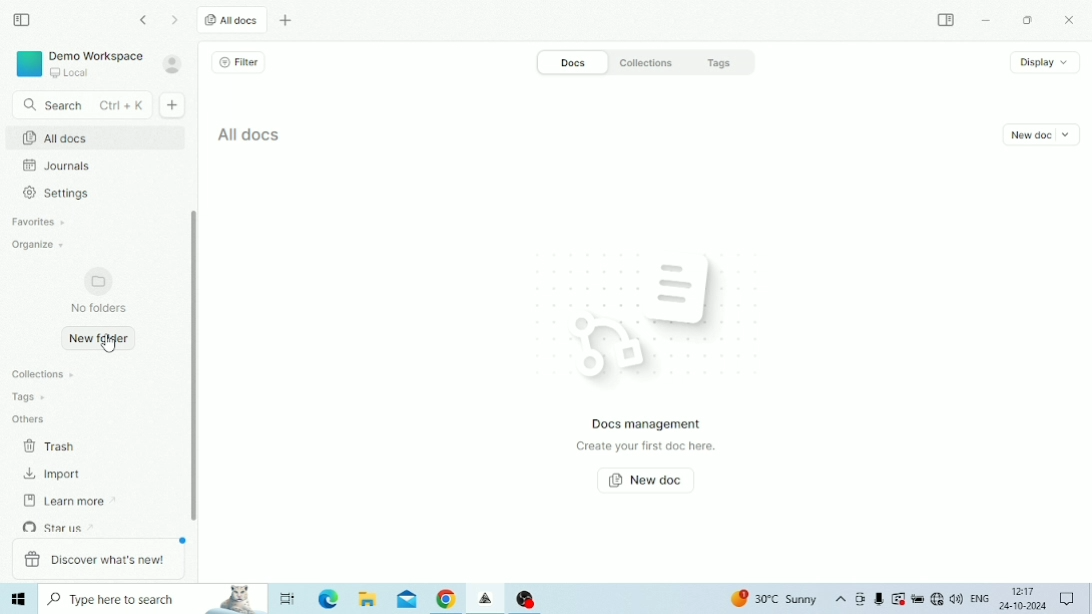  Describe the element at coordinates (20, 599) in the screenshot. I see `Windows` at that location.